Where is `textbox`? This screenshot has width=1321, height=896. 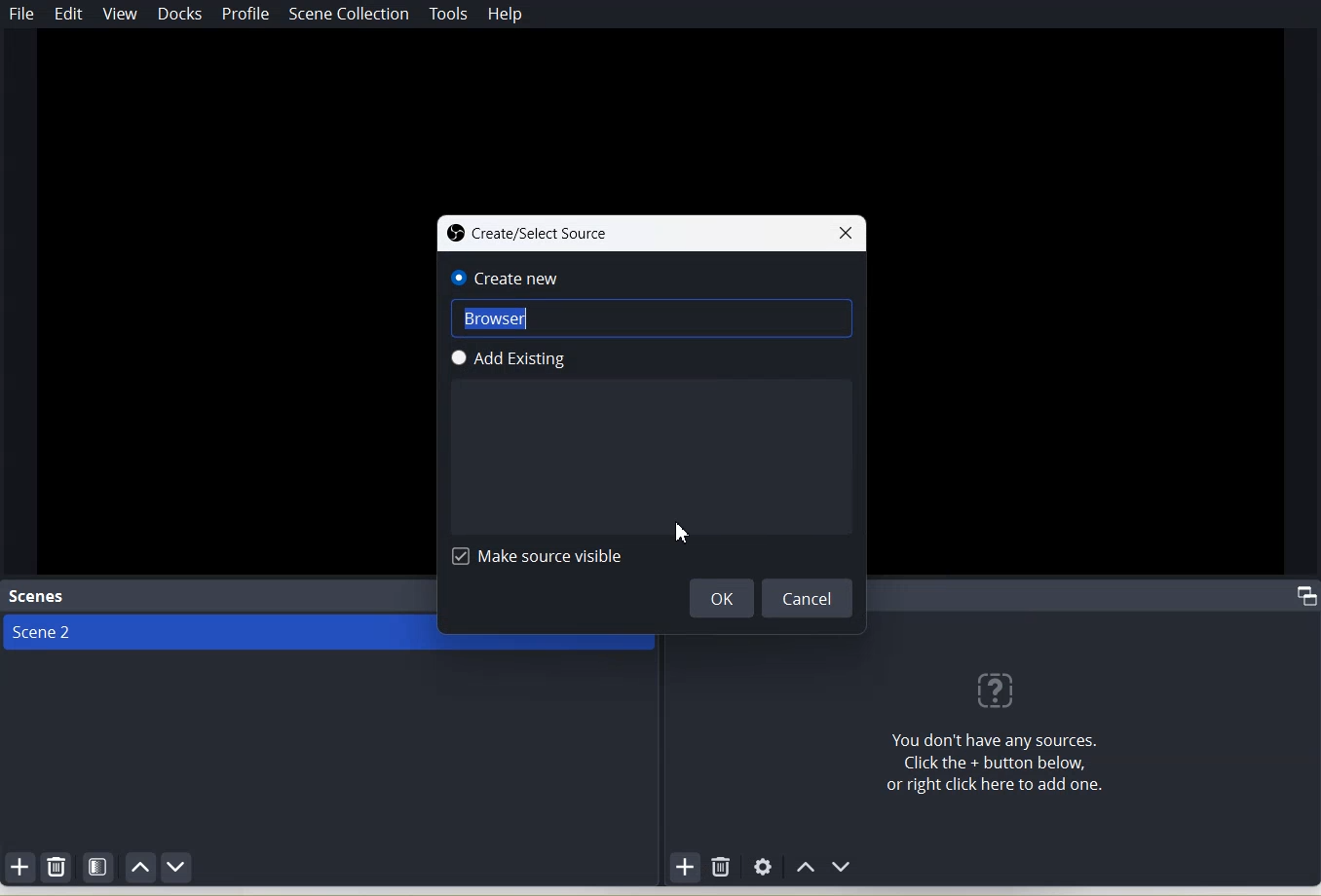 textbox is located at coordinates (654, 455).